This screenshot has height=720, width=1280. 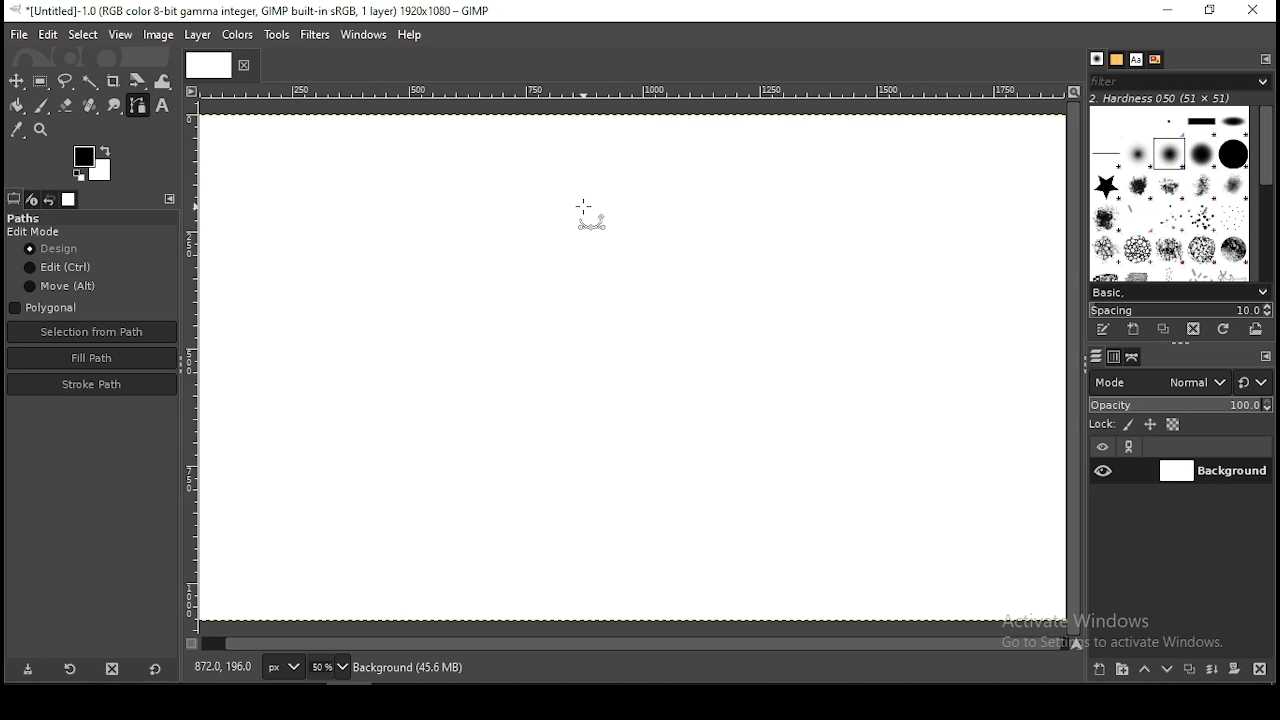 I want to click on image, so click(x=160, y=36).